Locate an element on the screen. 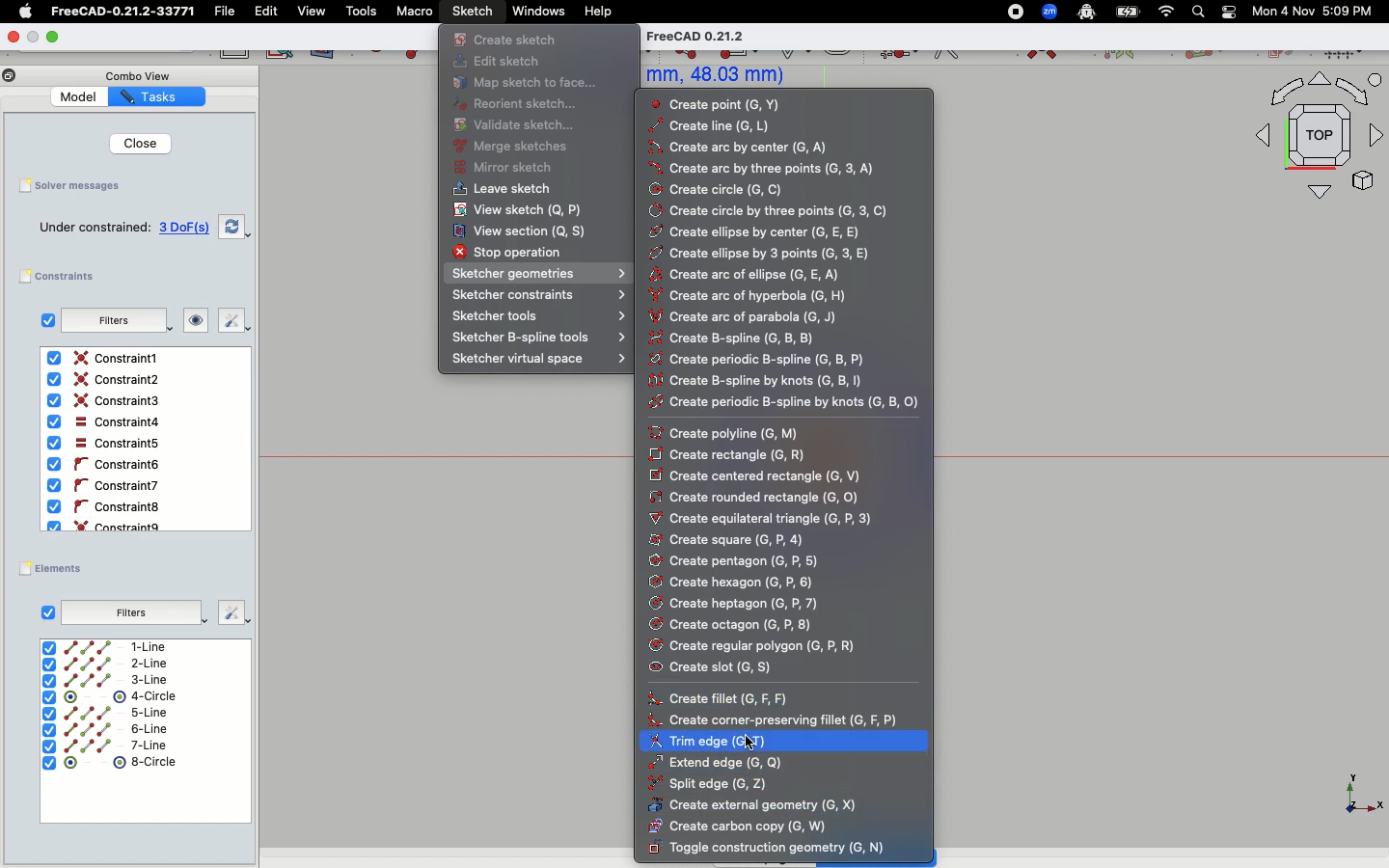  Minimize is located at coordinates (33, 38).